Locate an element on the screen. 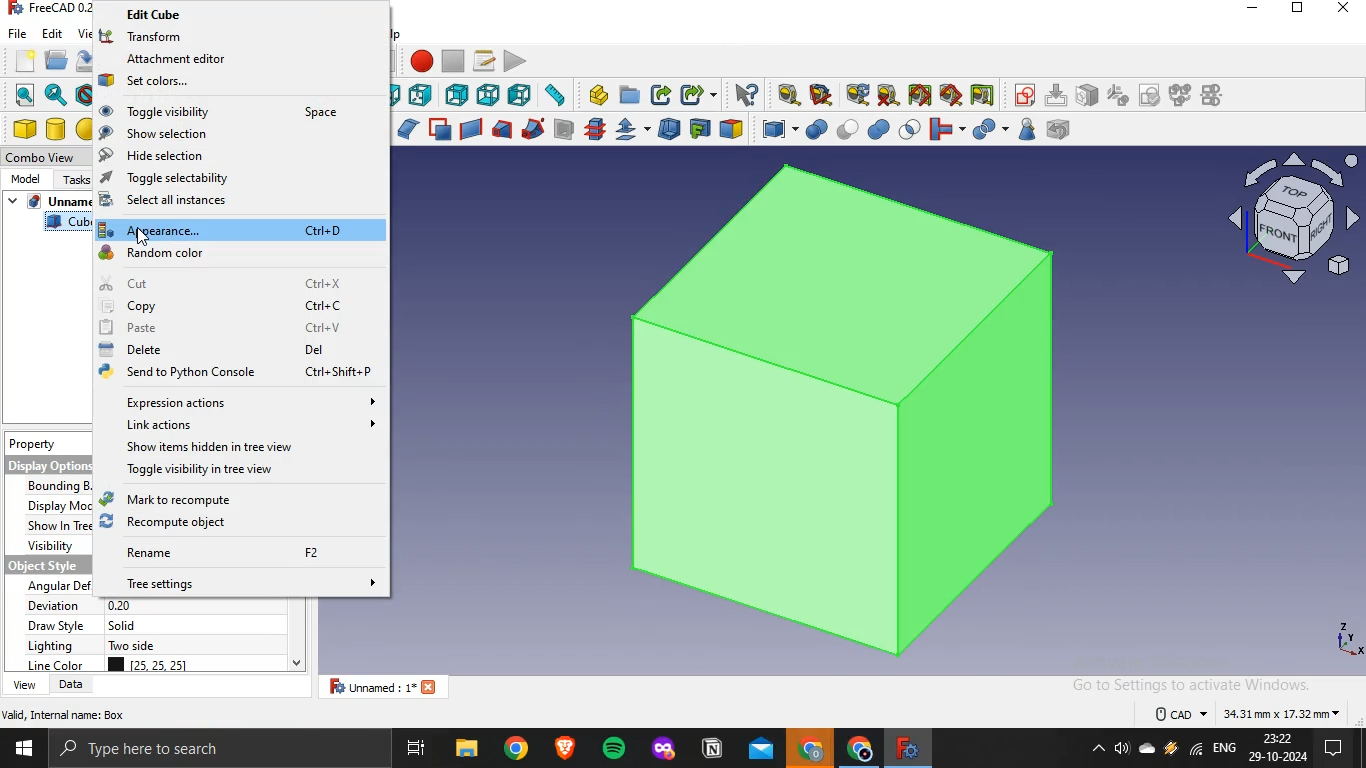  toggle 3d is located at coordinates (951, 95).